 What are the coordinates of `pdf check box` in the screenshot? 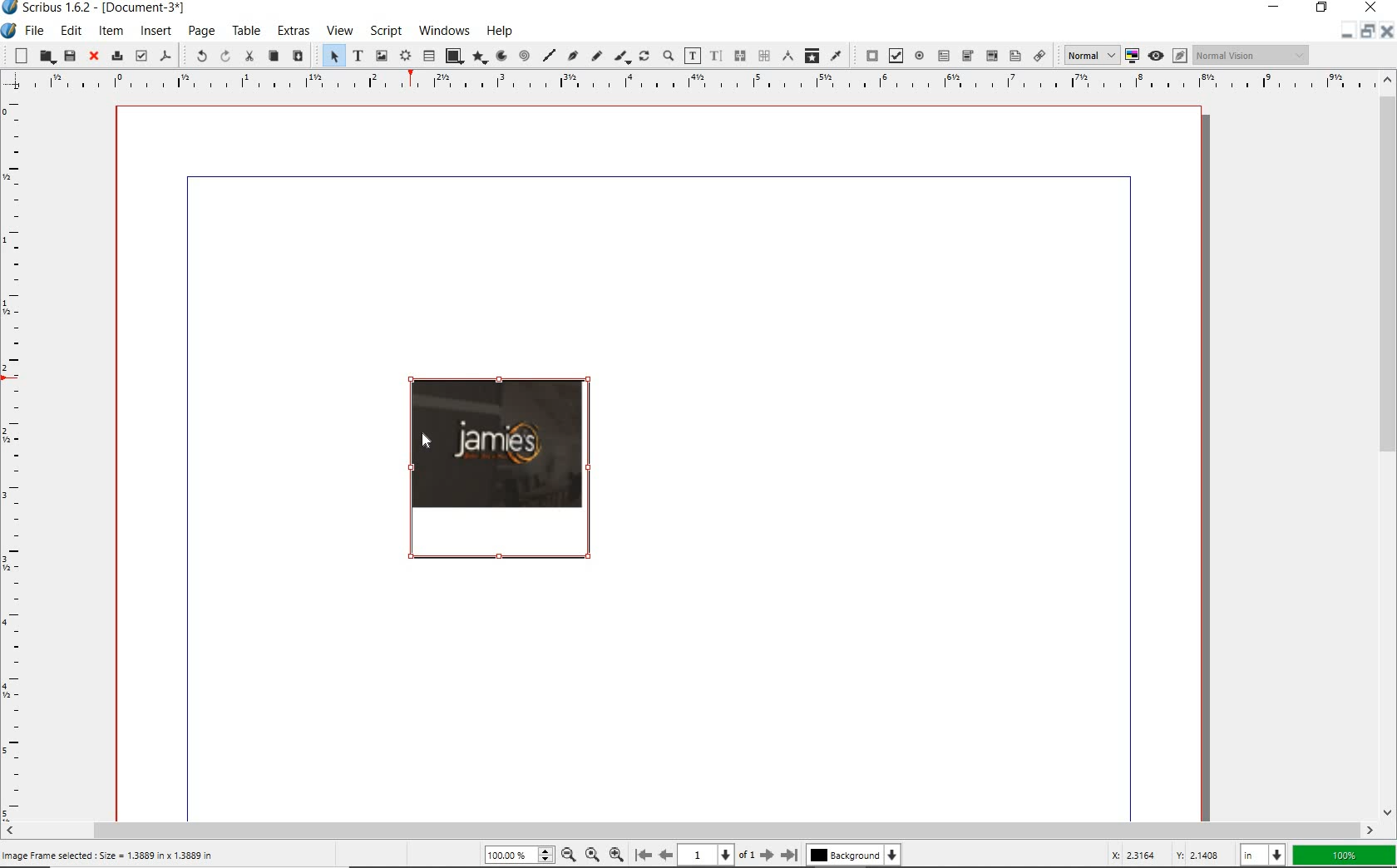 It's located at (894, 55).